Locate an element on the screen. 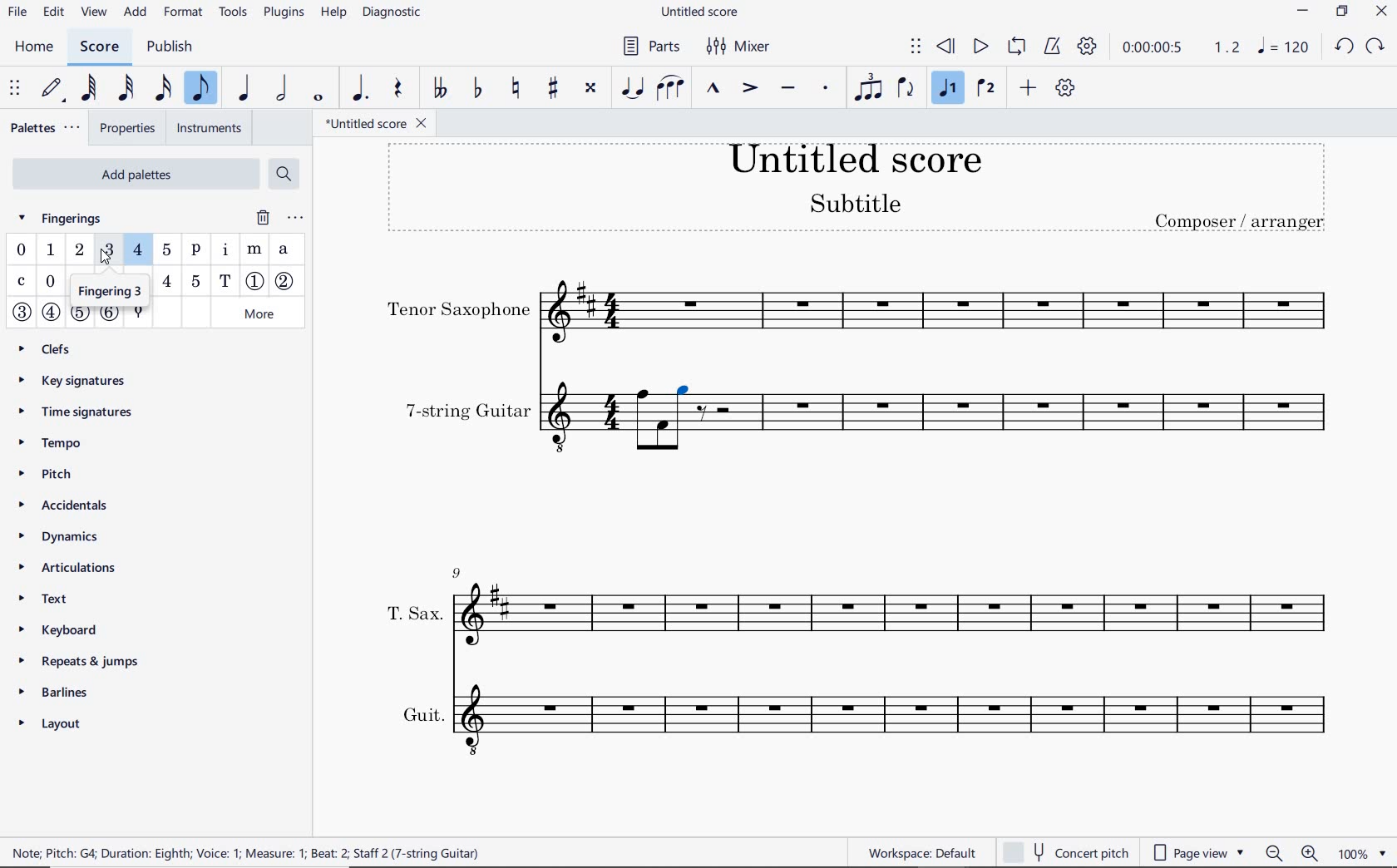 This screenshot has width=1397, height=868. KEYBOARD is located at coordinates (77, 630).